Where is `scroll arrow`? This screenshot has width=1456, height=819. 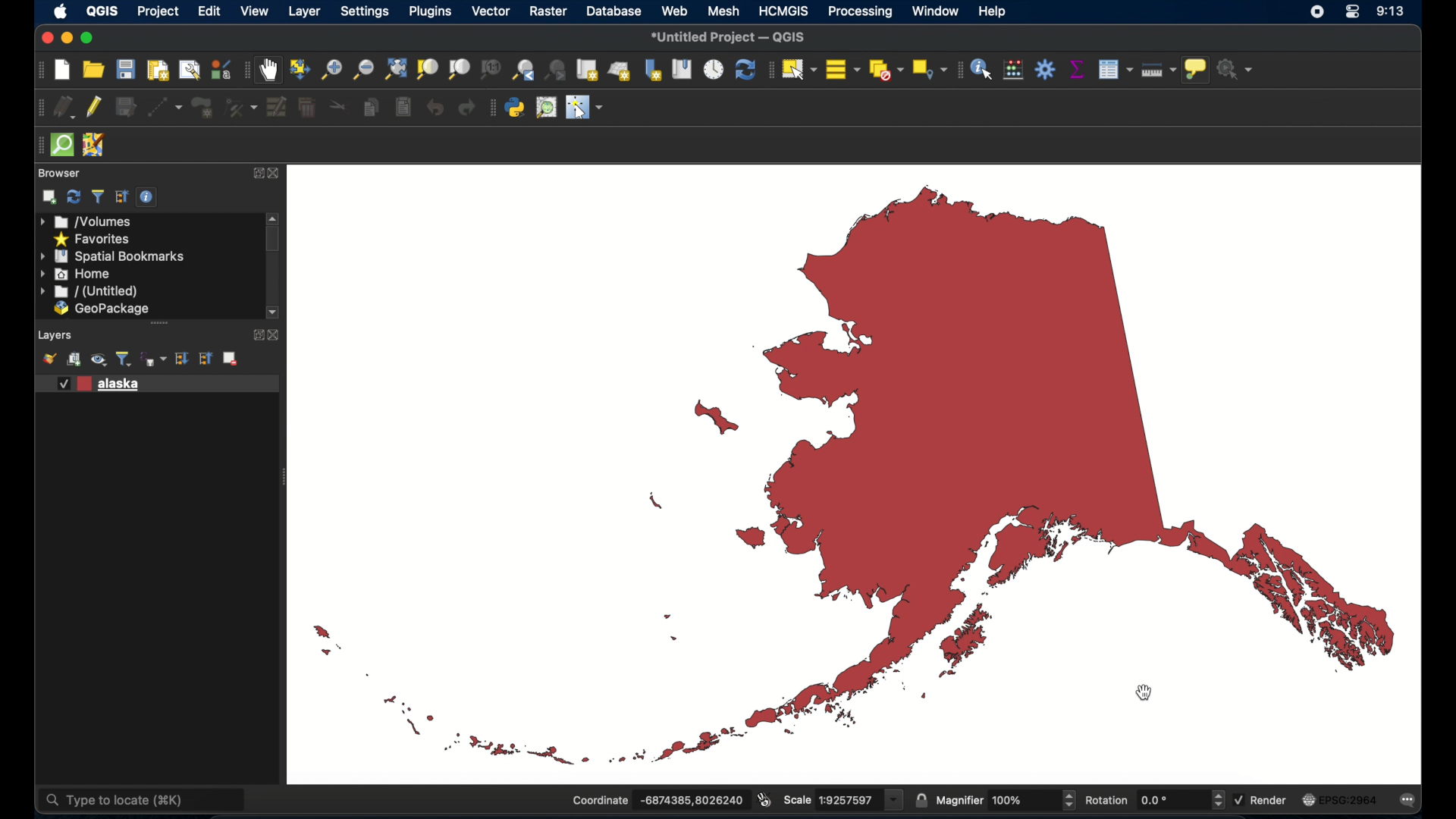 scroll arrow is located at coordinates (275, 216).